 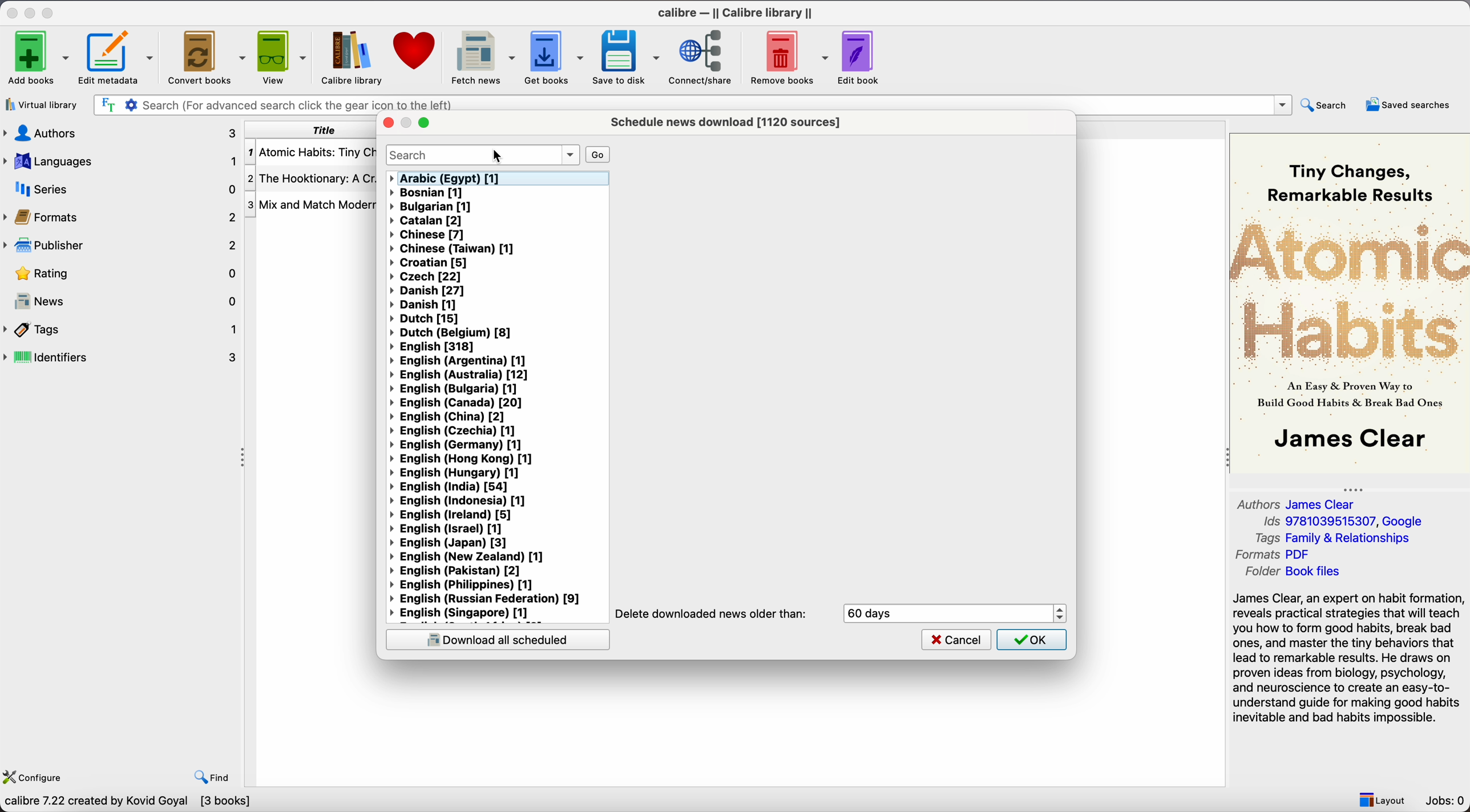 What do you see at coordinates (487, 599) in the screenshot?
I see `English (Russian Federation) [9]` at bounding box center [487, 599].